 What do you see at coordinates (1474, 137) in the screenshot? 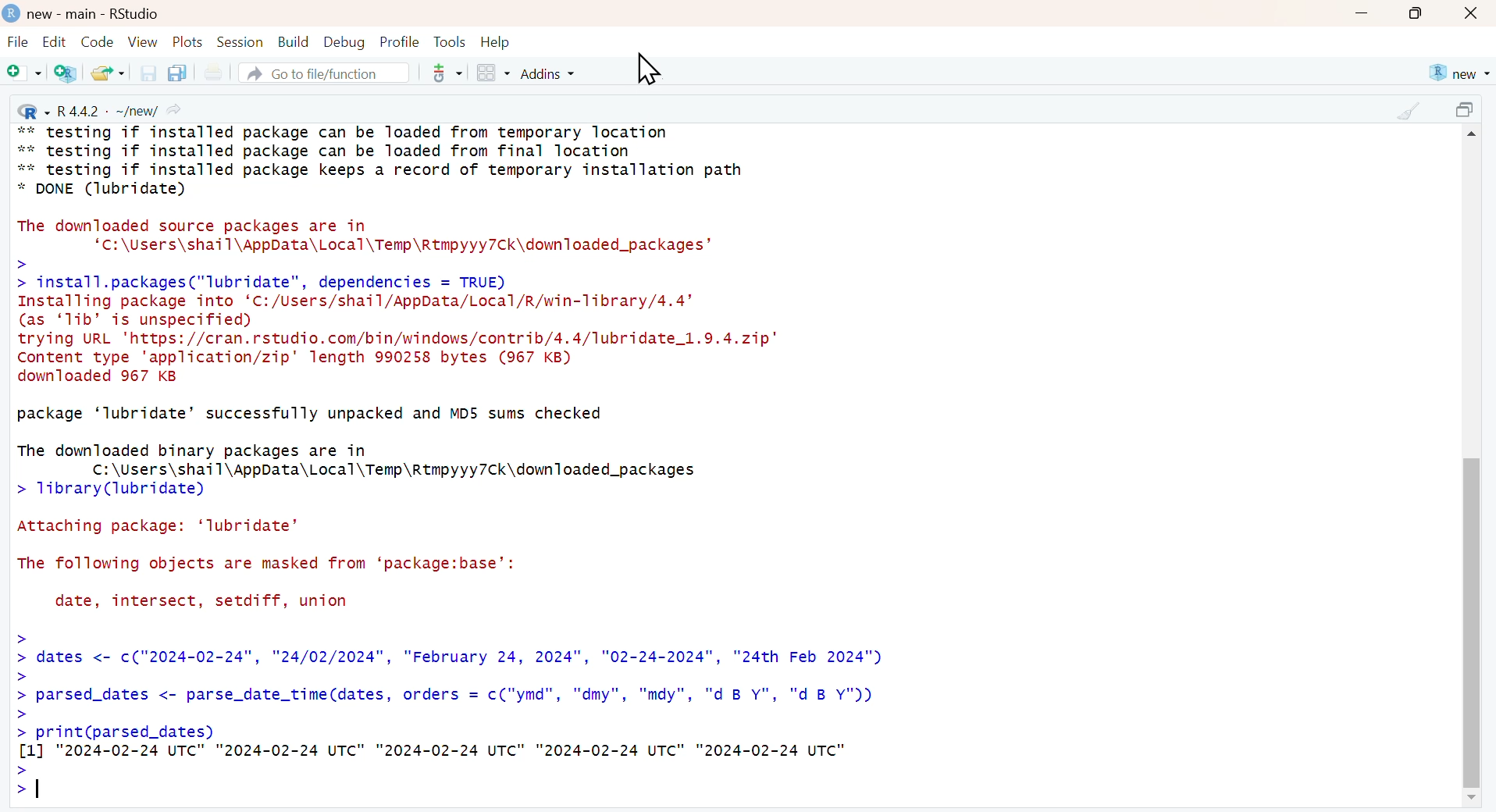
I see `scroll up` at bounding box center [1474, 137].